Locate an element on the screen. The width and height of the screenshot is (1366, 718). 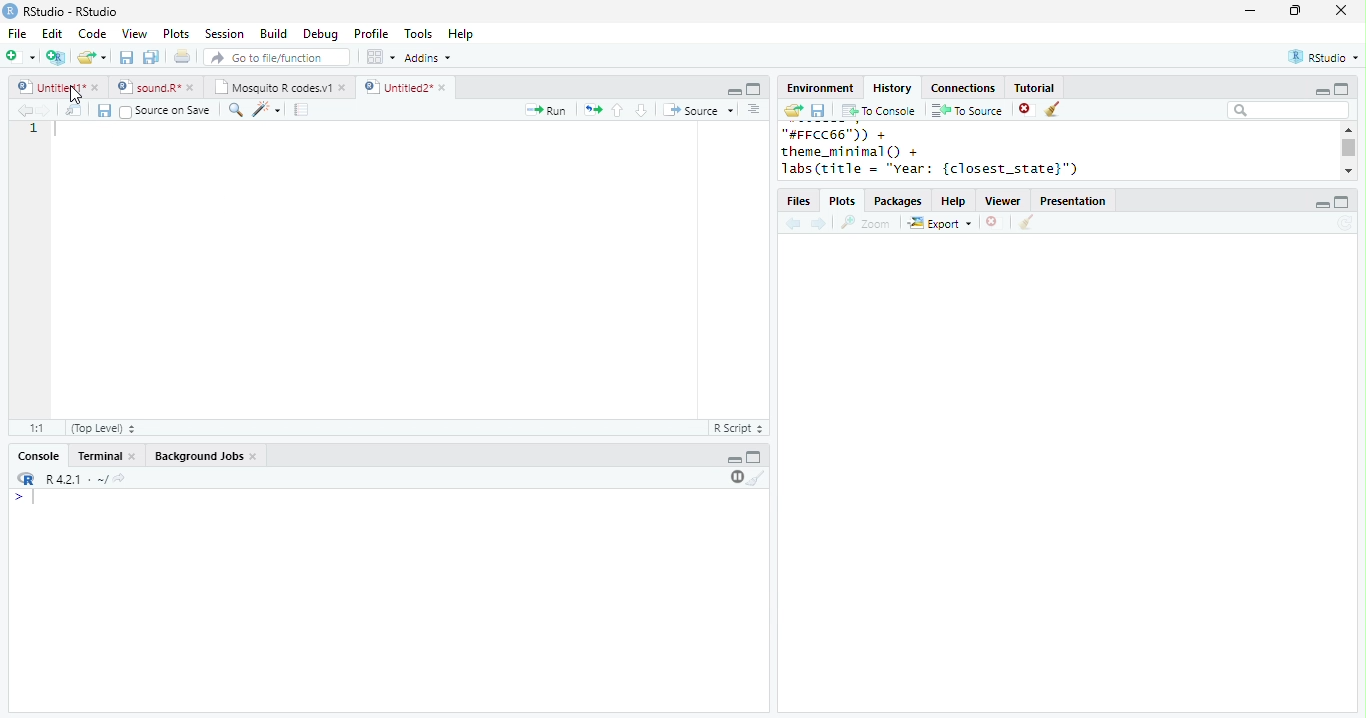
Mosquito R codes.v1 is located at coordinates (273, 87).